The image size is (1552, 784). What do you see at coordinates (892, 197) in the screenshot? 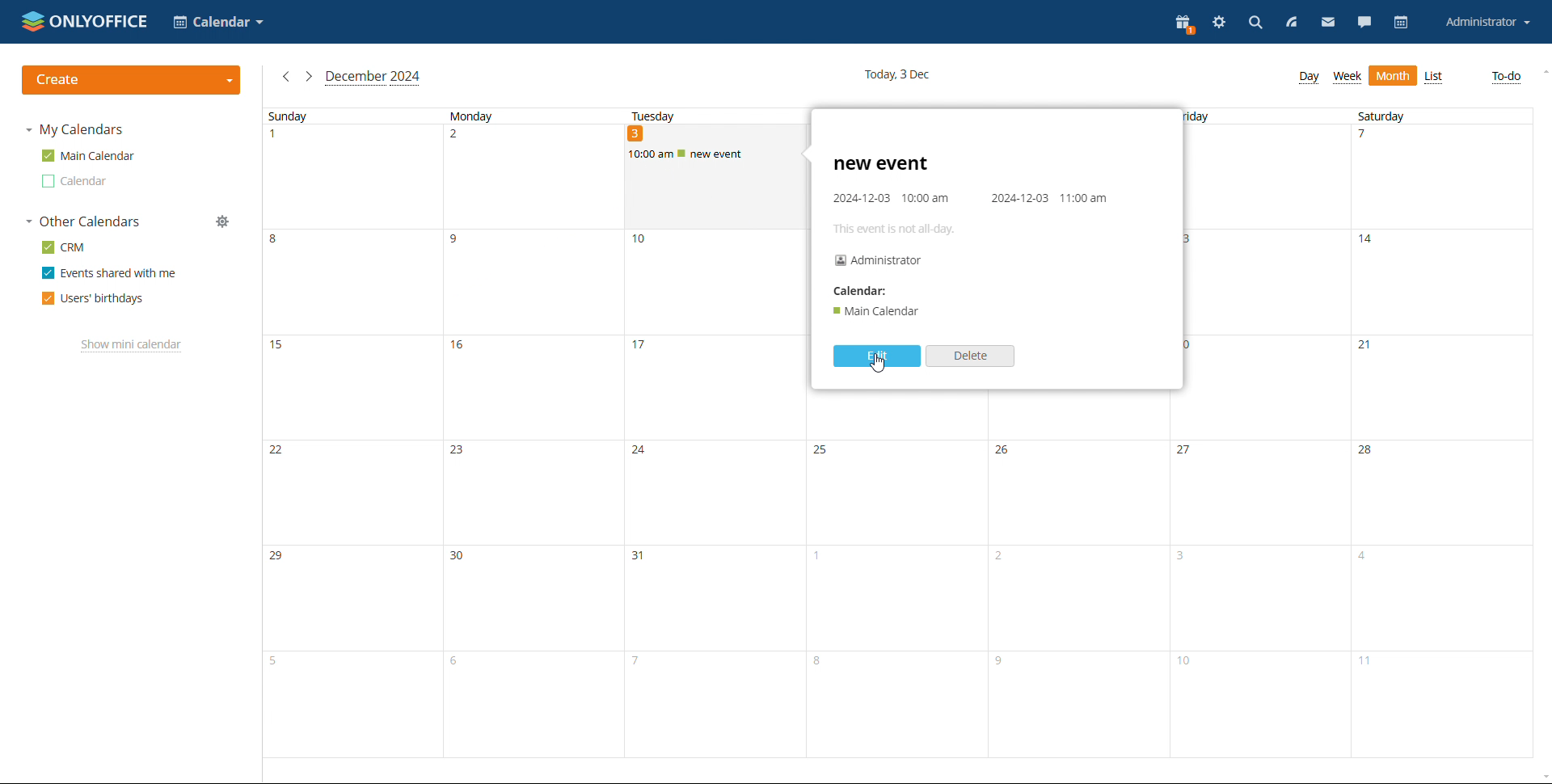
I see `2024-12-03 10:00 am` at bounding box center [892, 197].